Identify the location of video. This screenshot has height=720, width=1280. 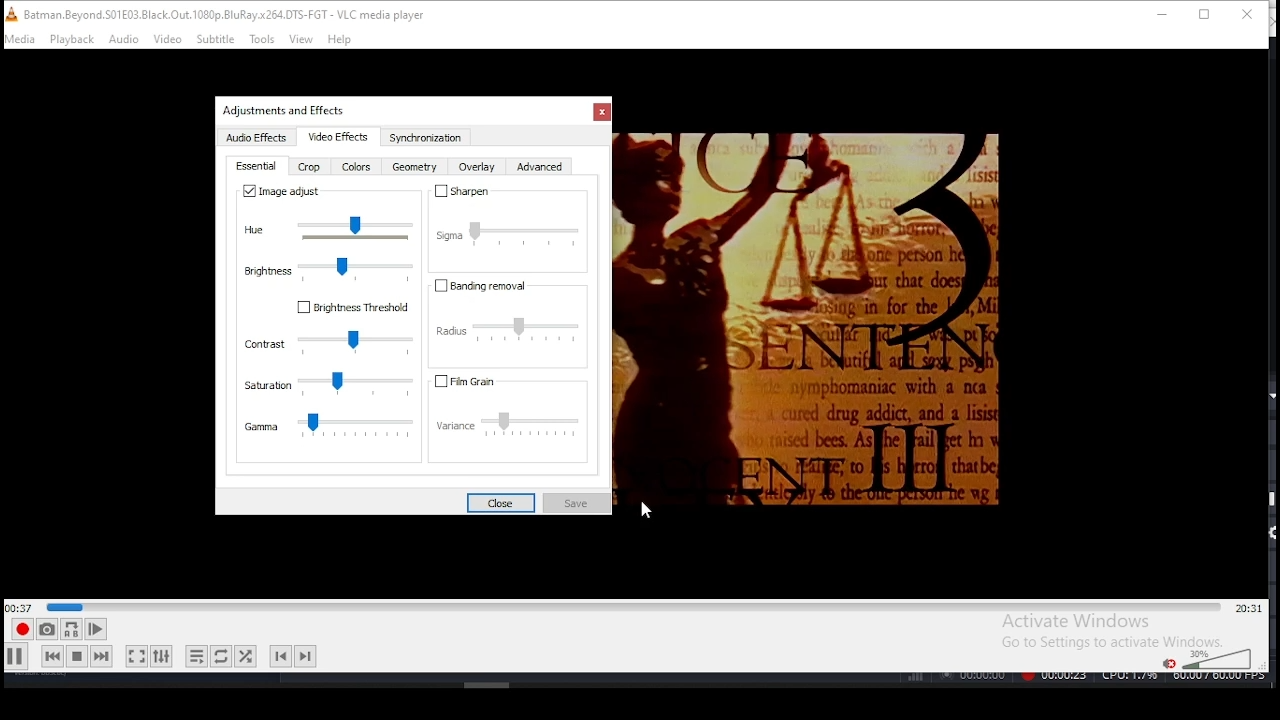
(168, 40).